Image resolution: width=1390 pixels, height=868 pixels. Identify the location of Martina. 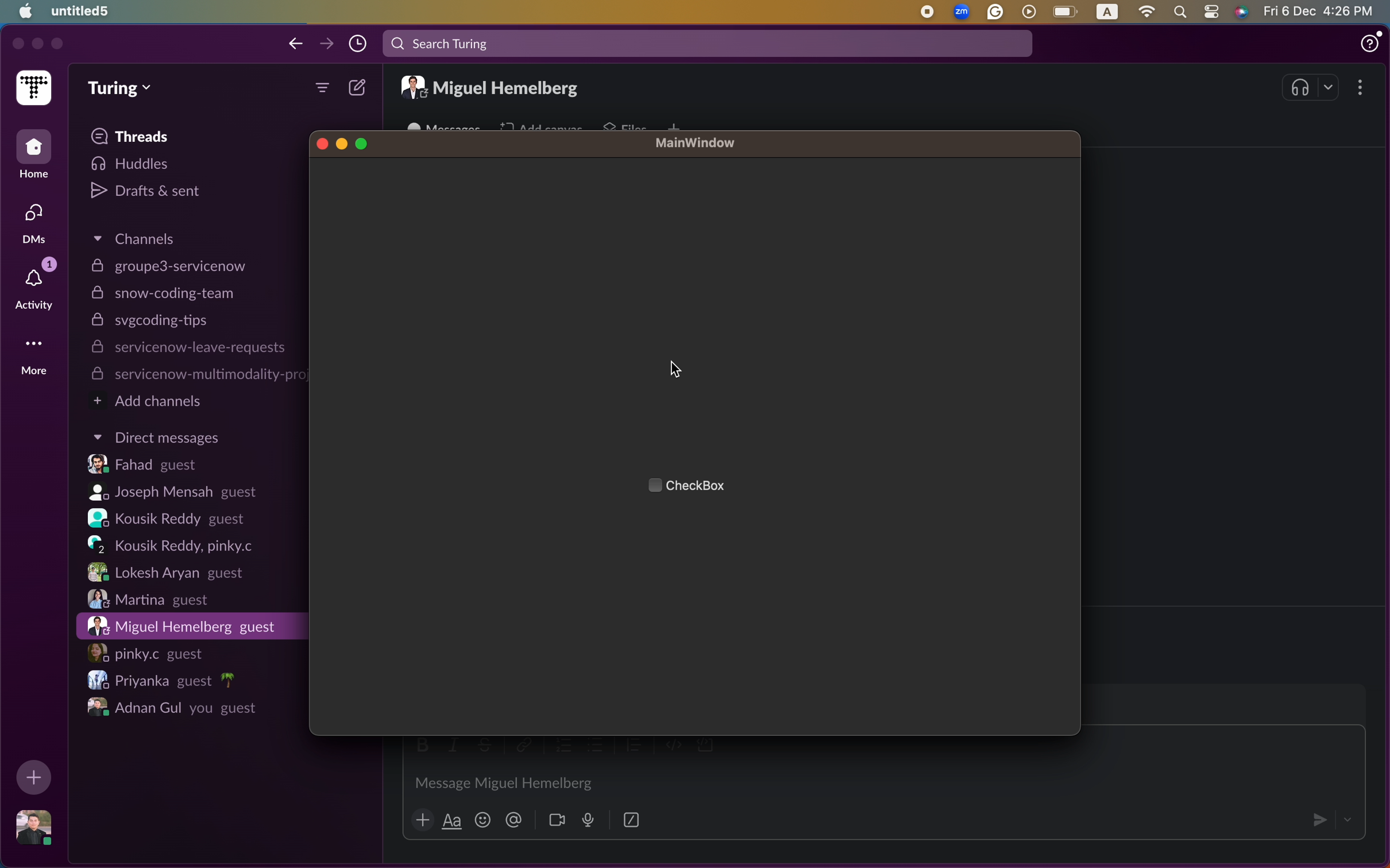
(152, 599).